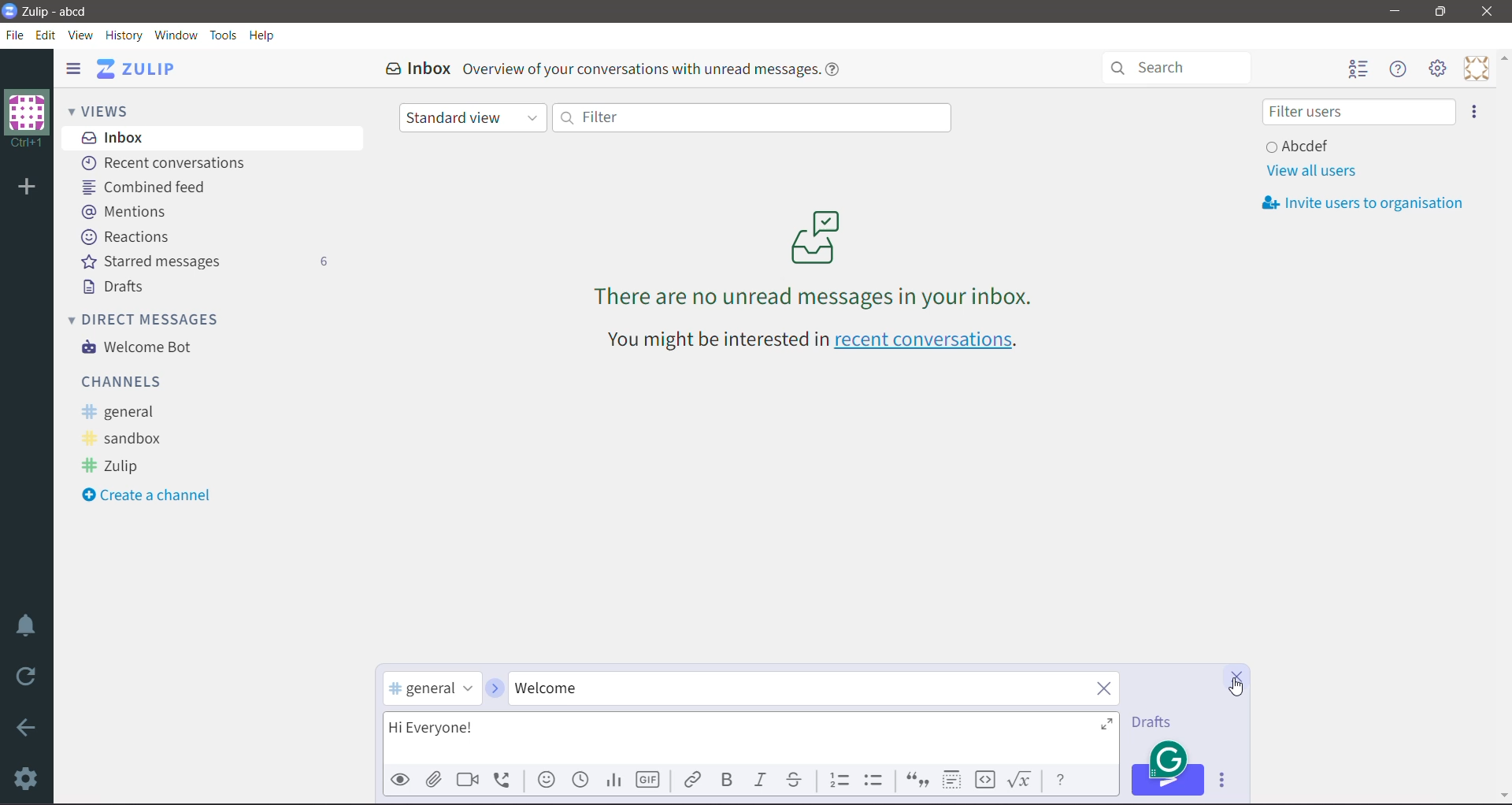  I want to click on Mentions, so click(124, 210).